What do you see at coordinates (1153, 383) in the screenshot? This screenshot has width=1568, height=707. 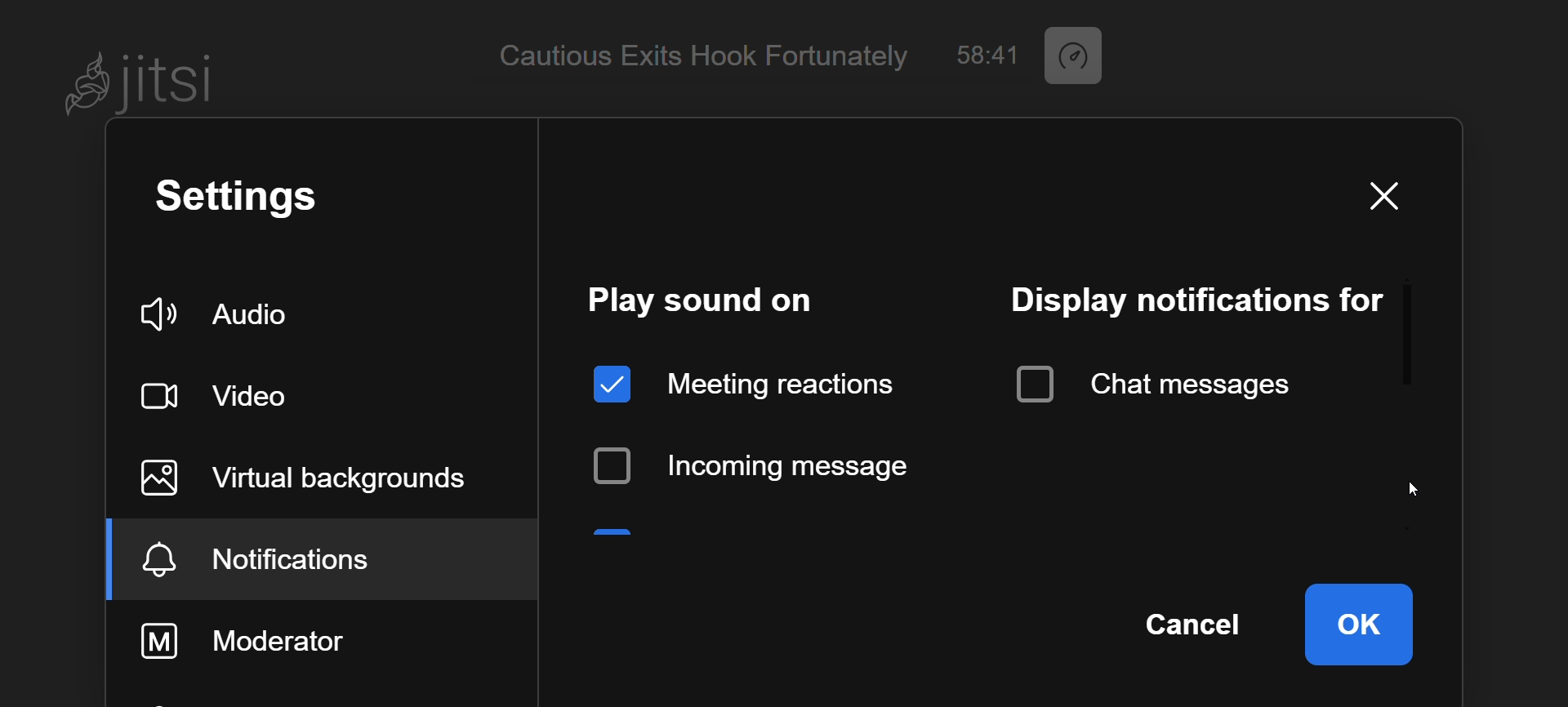 I see `chat message` at bounding box center [1153, 383].